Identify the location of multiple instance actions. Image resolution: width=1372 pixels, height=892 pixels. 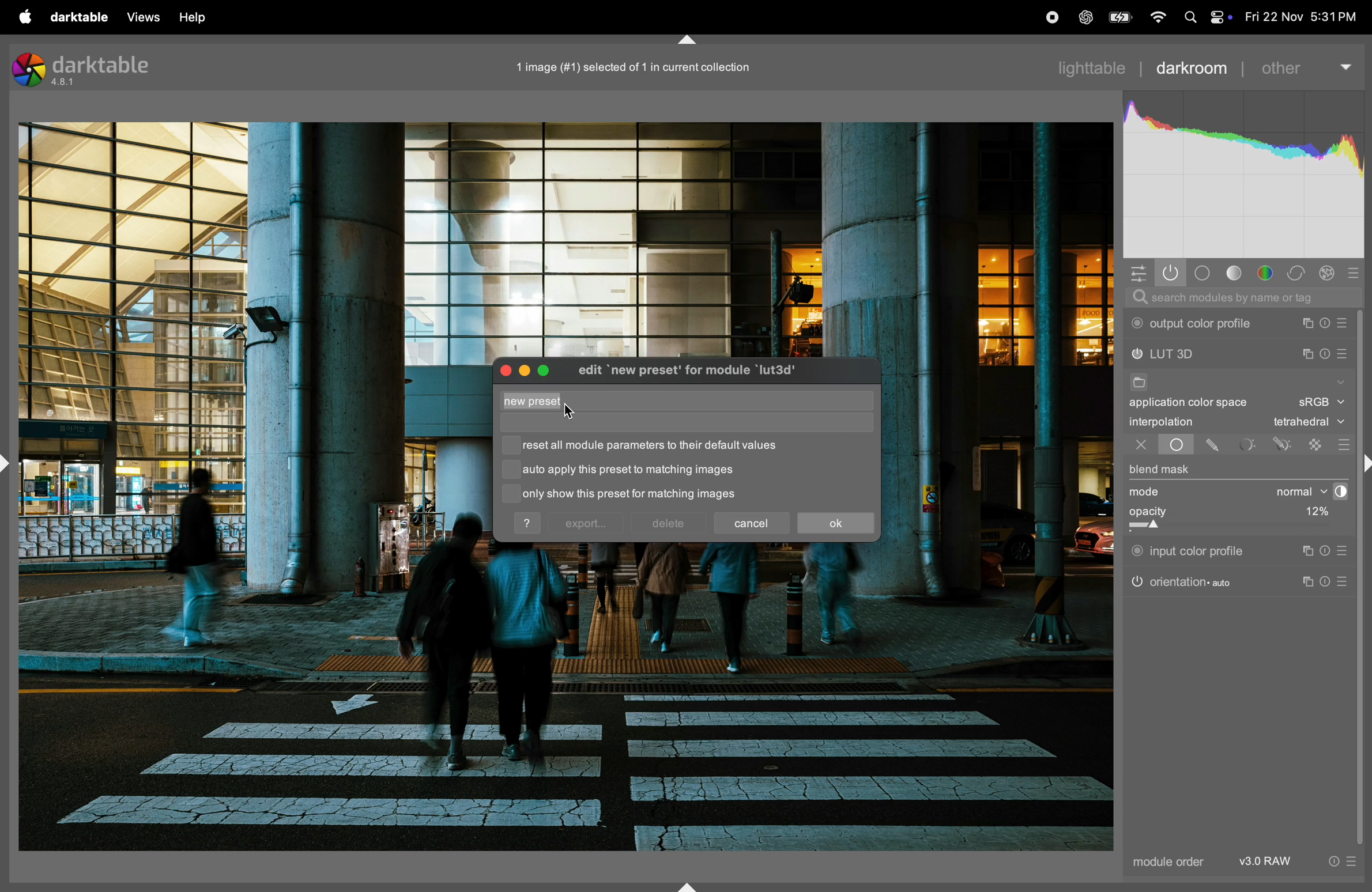
(1307, 354).